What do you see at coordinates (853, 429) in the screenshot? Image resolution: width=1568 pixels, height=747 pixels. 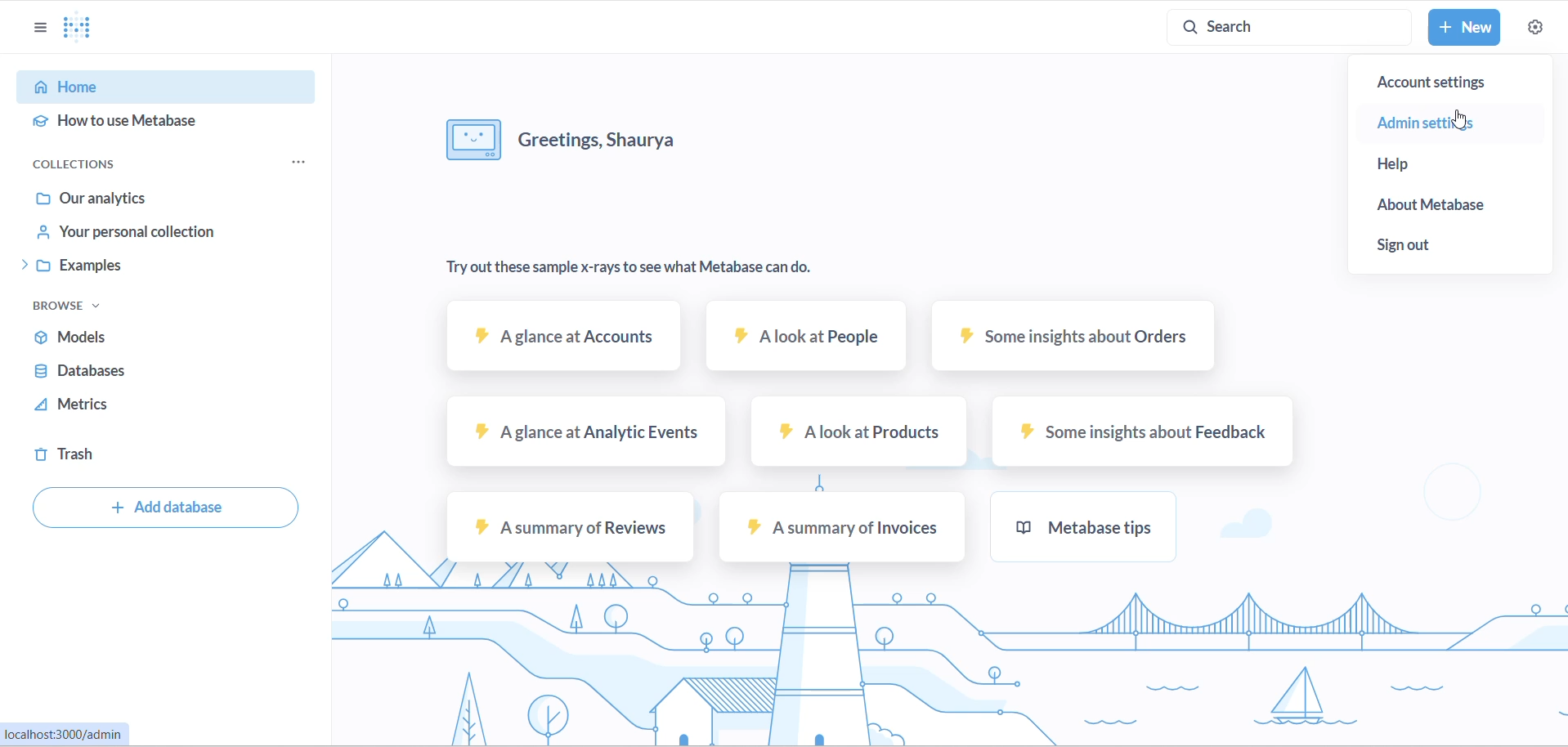 I see `A look at products sample` at bounding box center [853, 429].